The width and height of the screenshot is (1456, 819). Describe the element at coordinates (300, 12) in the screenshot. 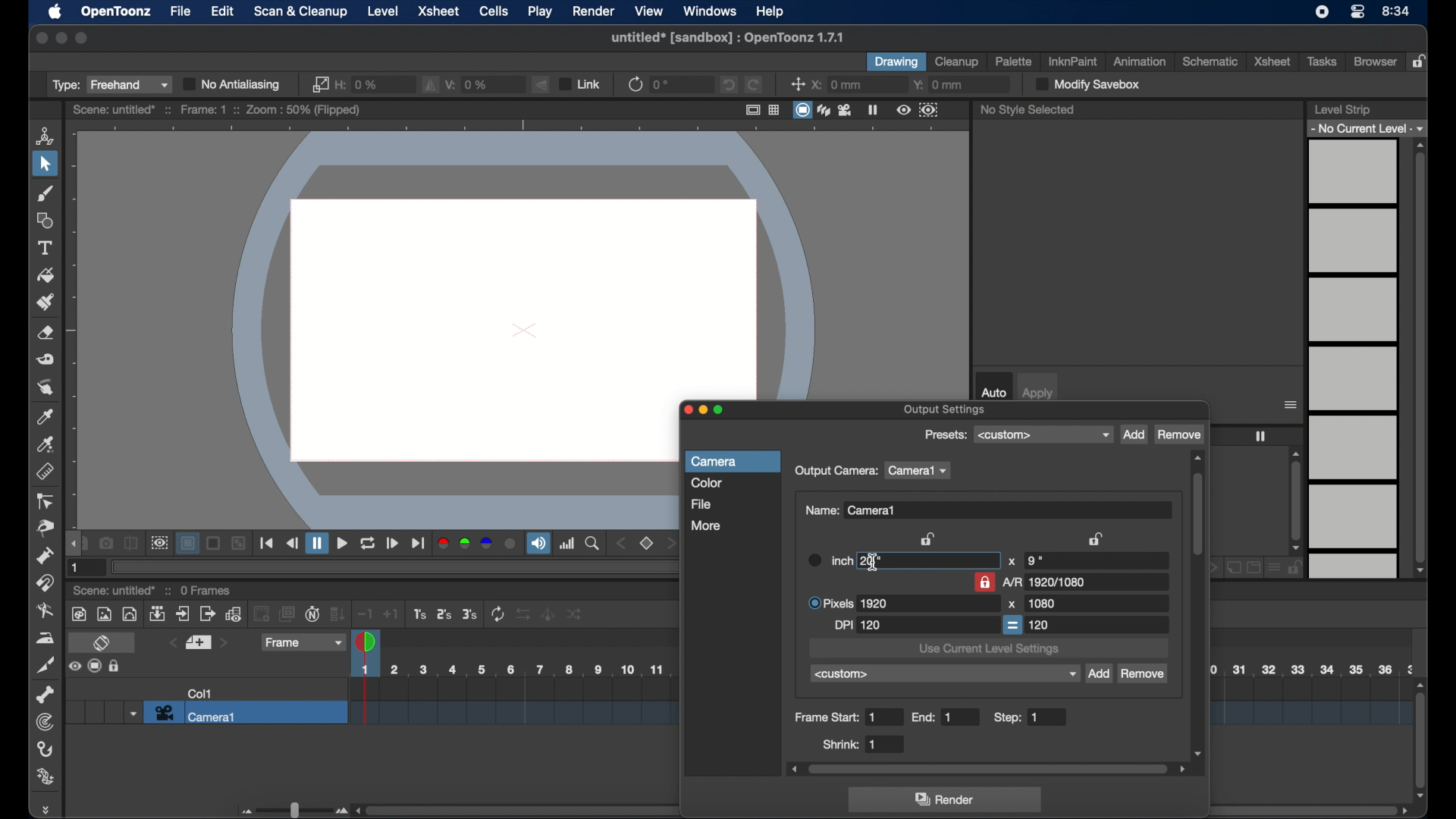

I see `scan & cleanup` at that location.